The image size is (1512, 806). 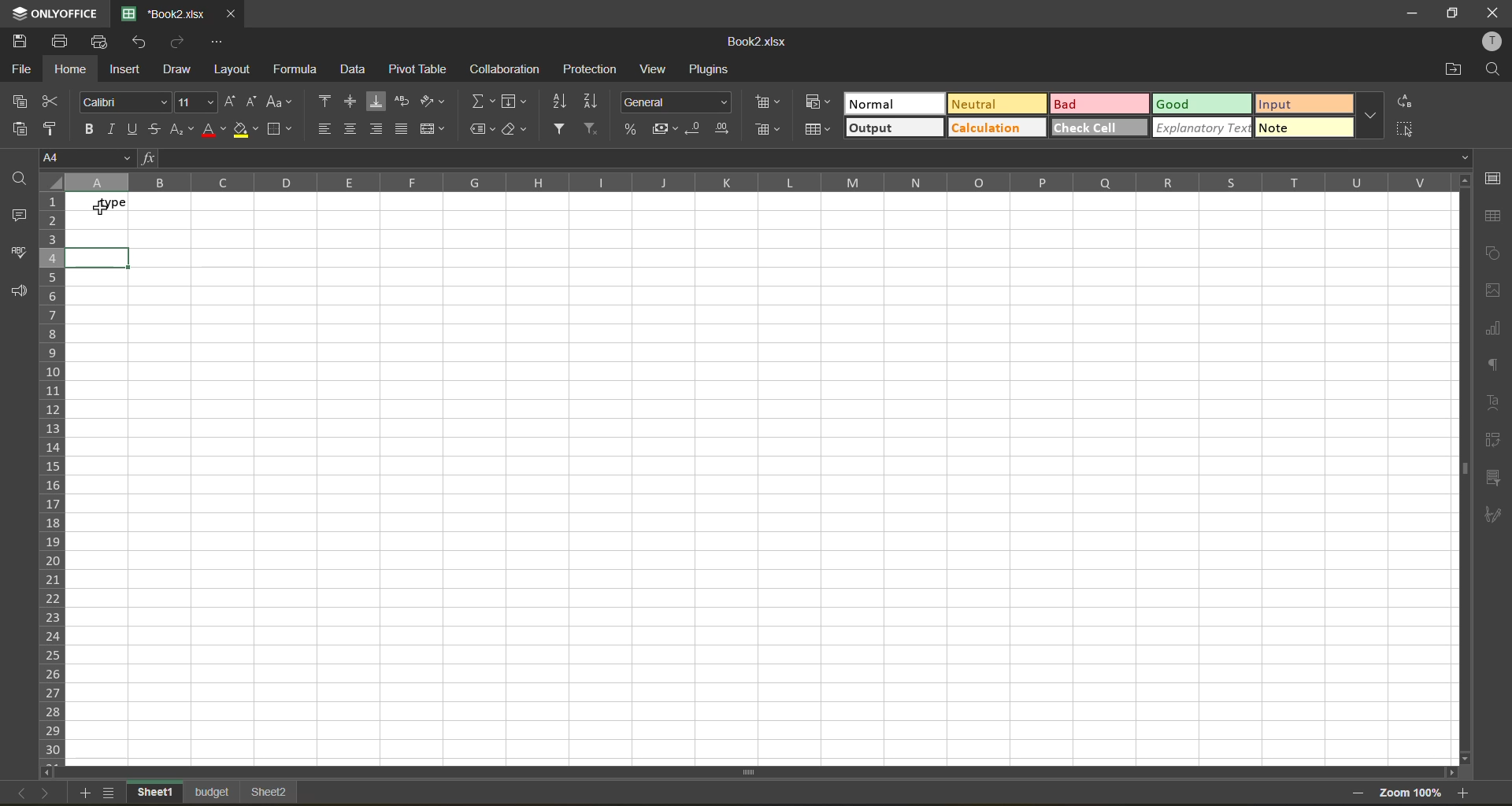 What do you see at coordinates (17, 257) in the screenshot?
I see `spell check` at bounding box center [17, 257].